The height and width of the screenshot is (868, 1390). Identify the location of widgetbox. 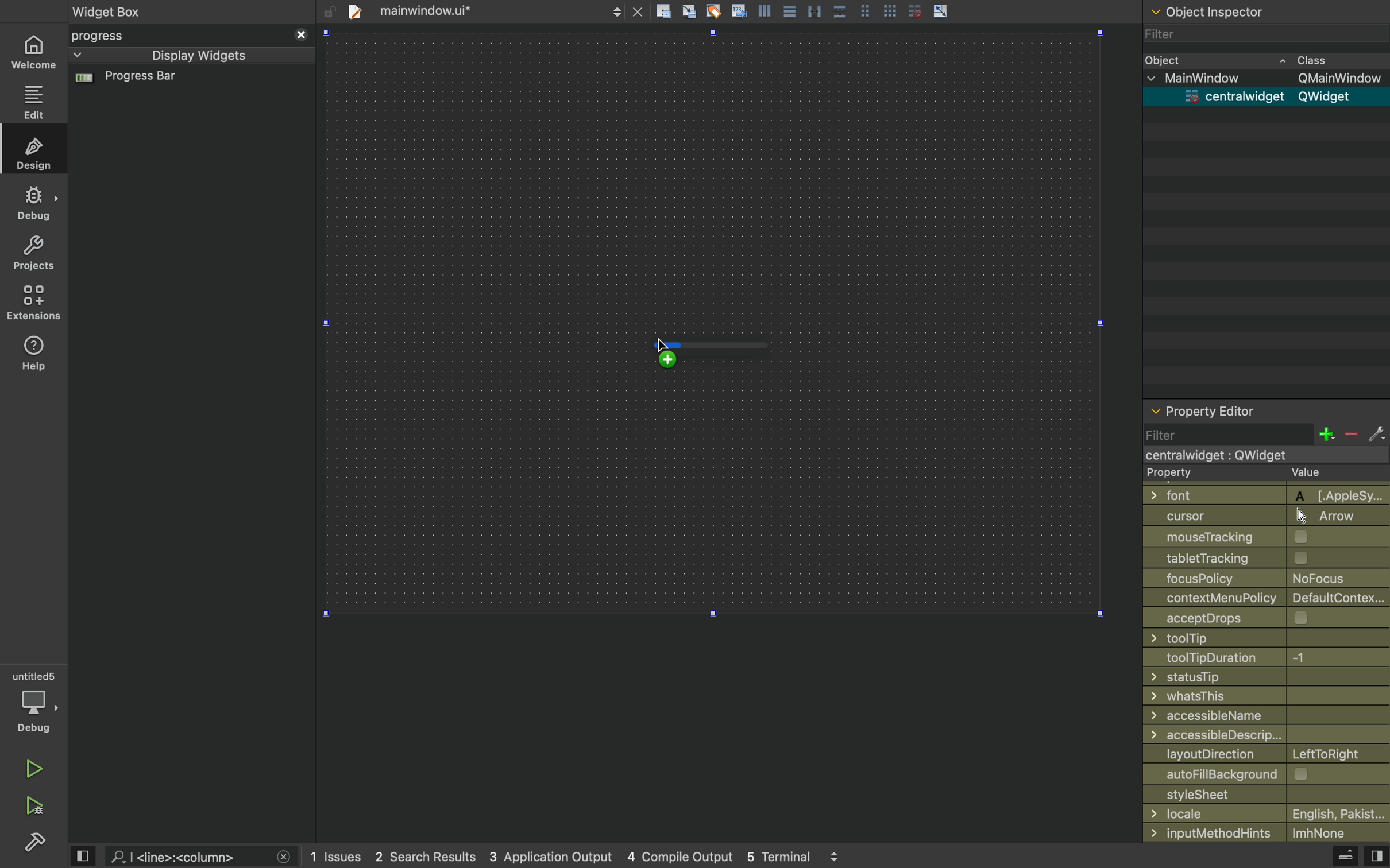
(154, 11).